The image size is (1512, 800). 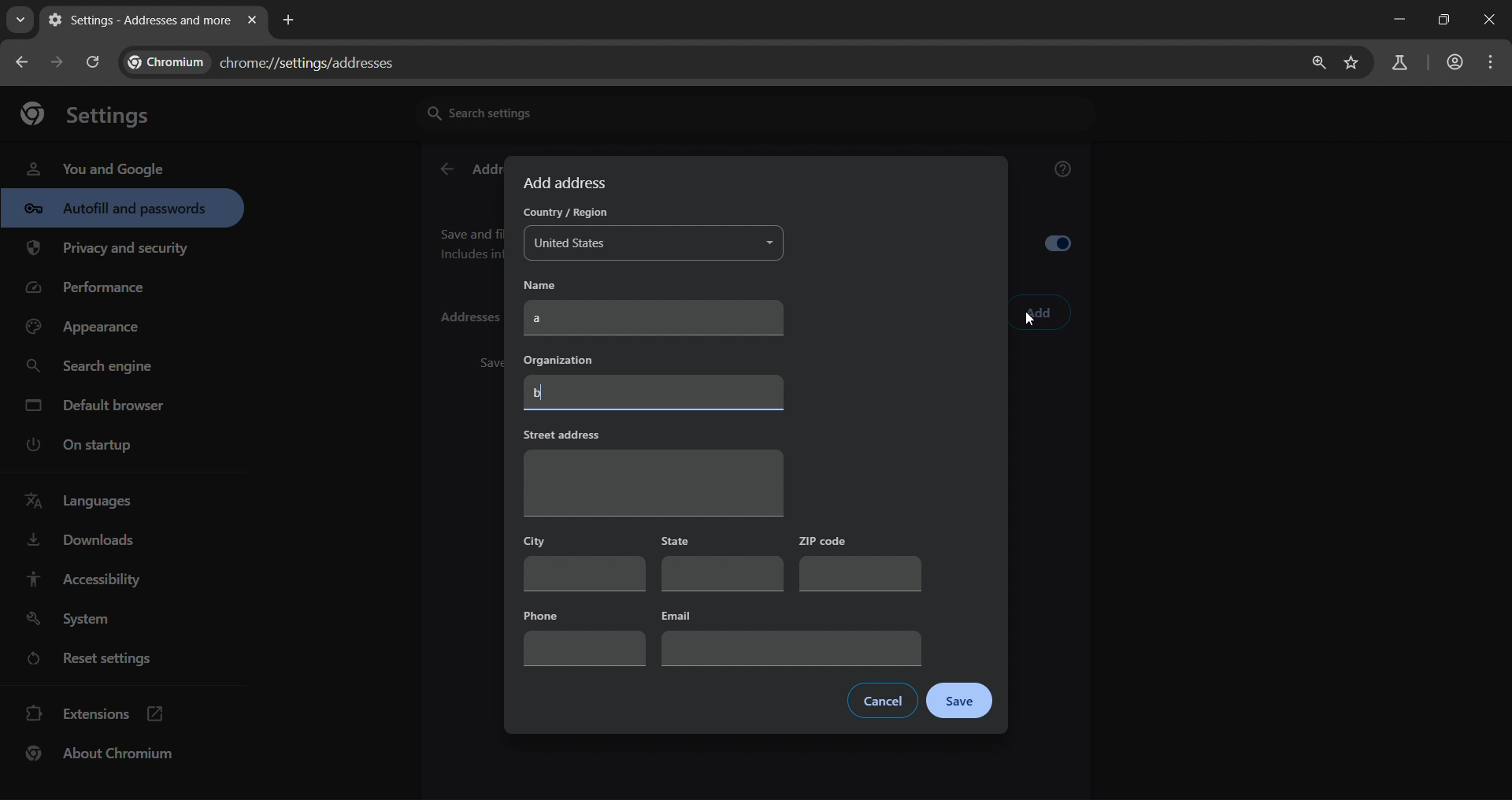 I want to click on current page, so click(x=136, y=20).